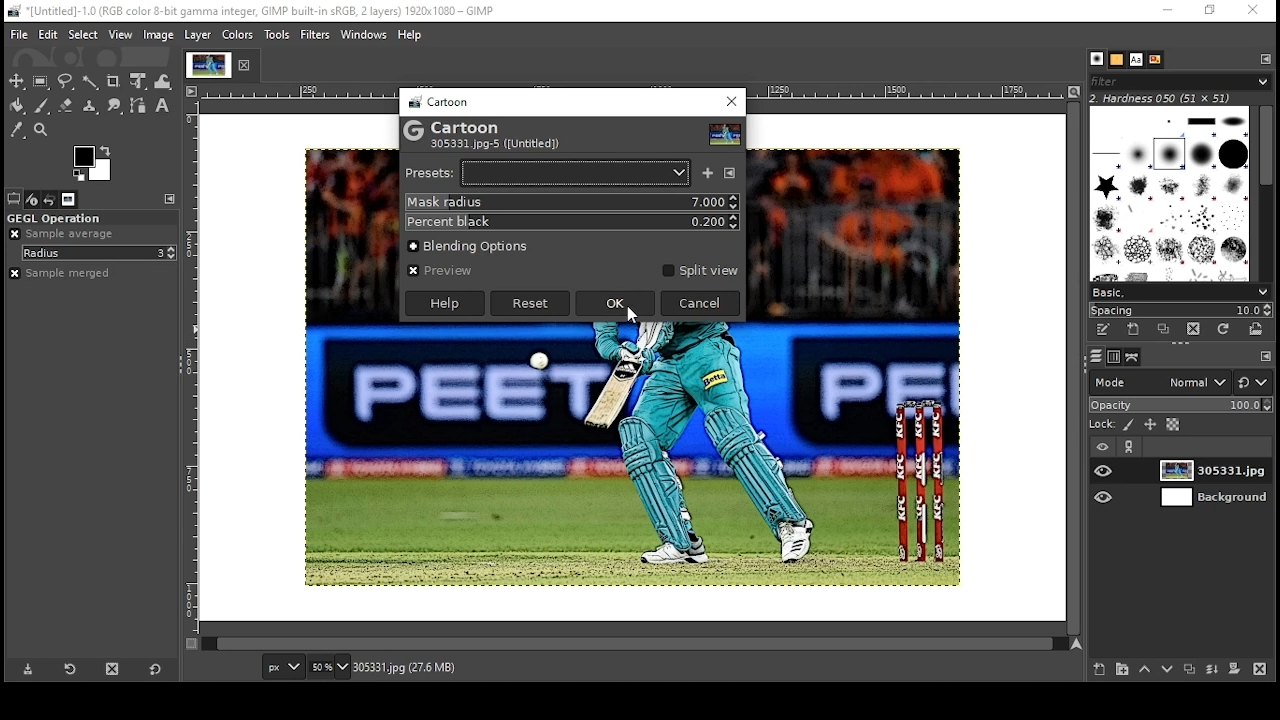 This screenshot has width=1280, height=720. Describe the element at coordinates (1208, 11) in the screenshot. I see `restore` at that location.